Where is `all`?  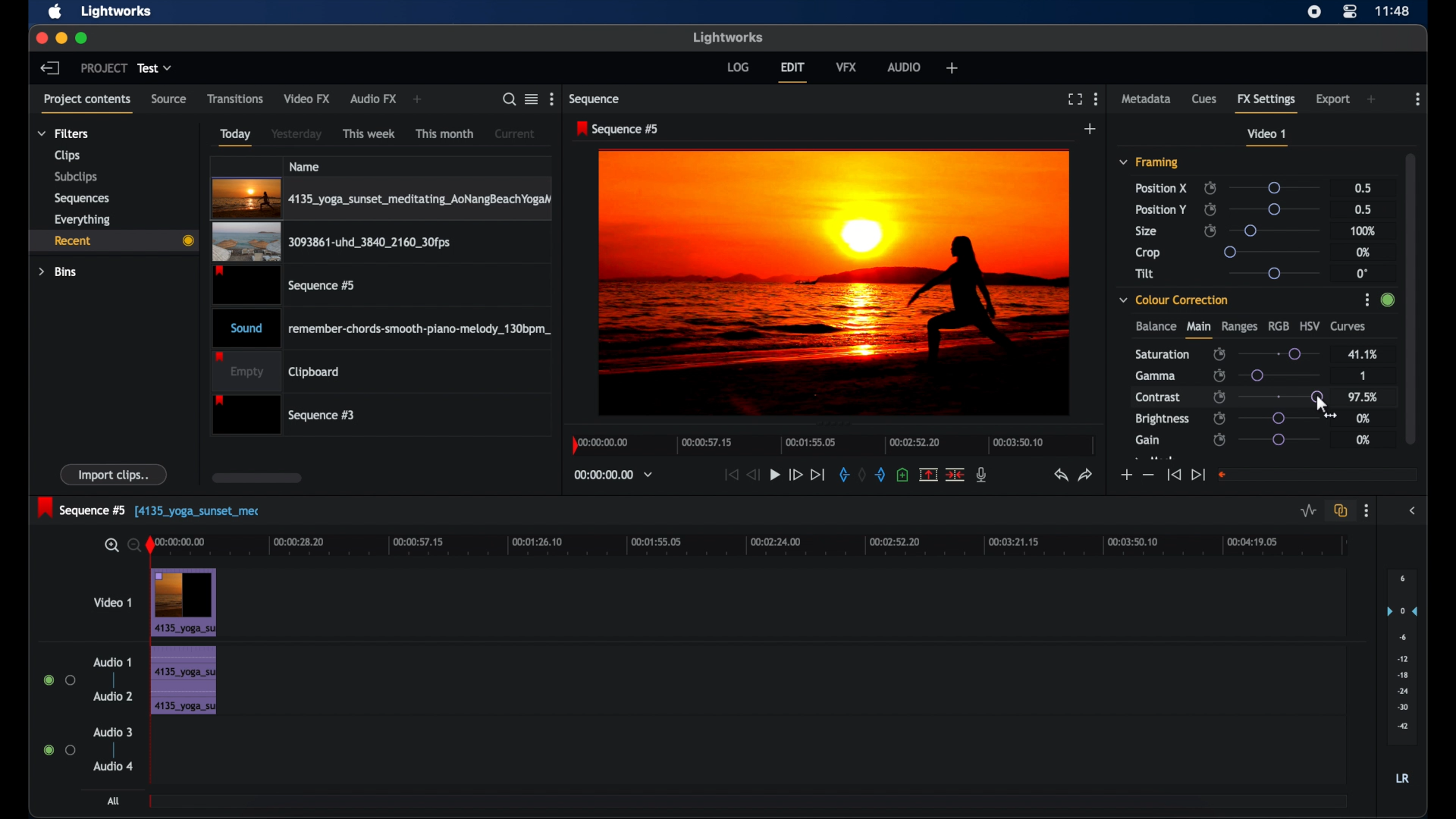 all is located at coordinates (114, 801).